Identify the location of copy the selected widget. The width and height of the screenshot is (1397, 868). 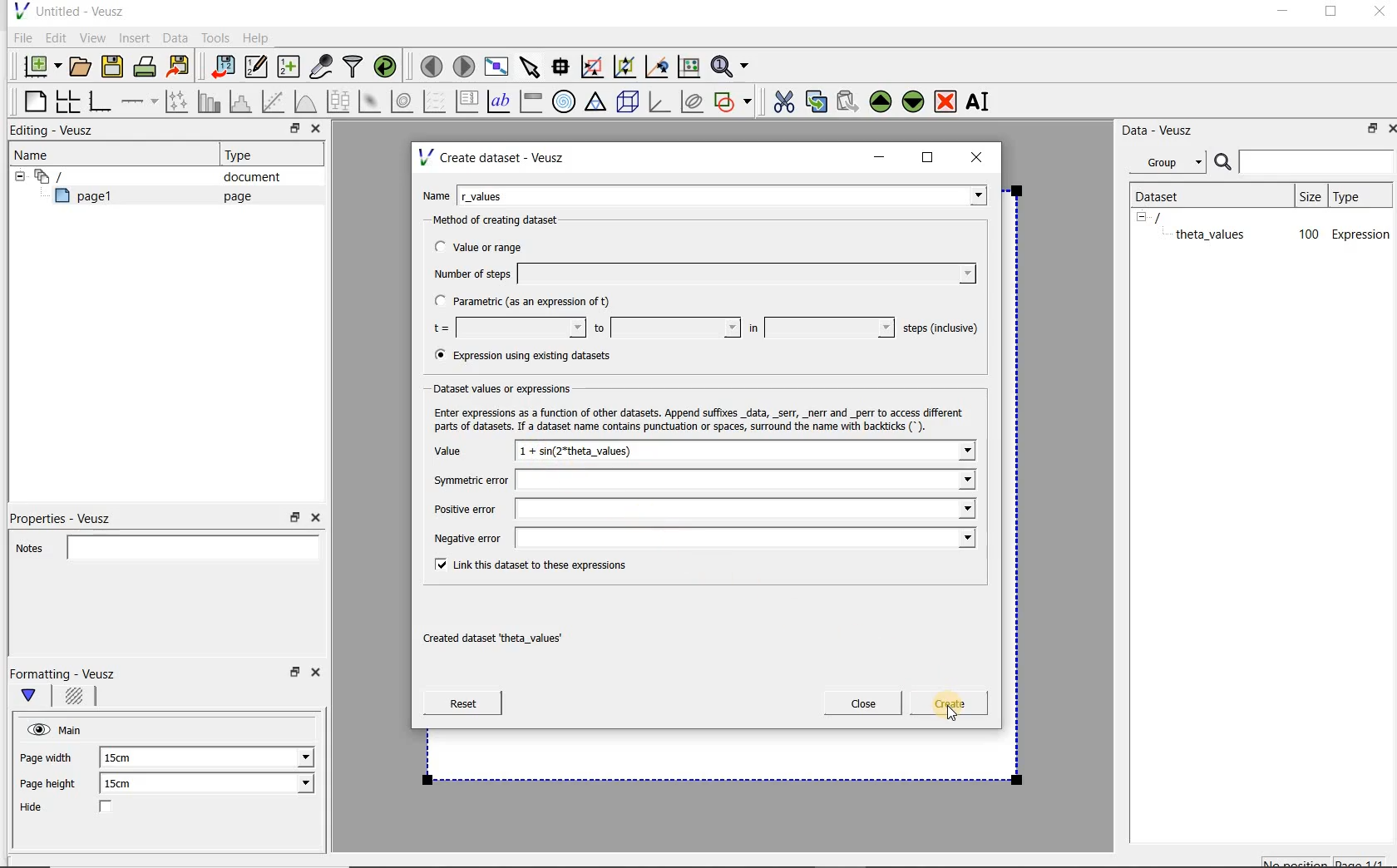
(817, 101).